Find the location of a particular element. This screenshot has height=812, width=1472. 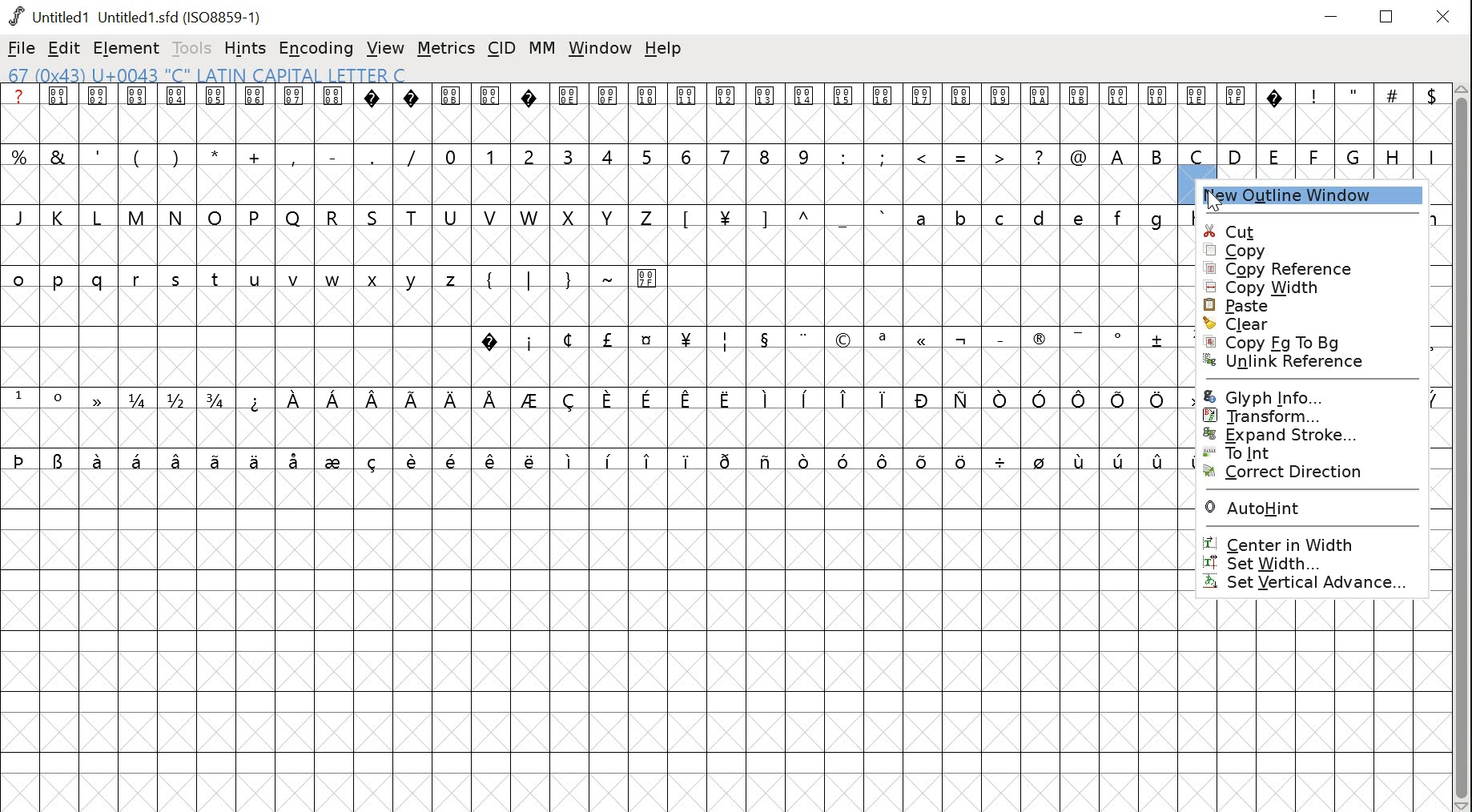

copy width is located at coordinates (1307, 287).